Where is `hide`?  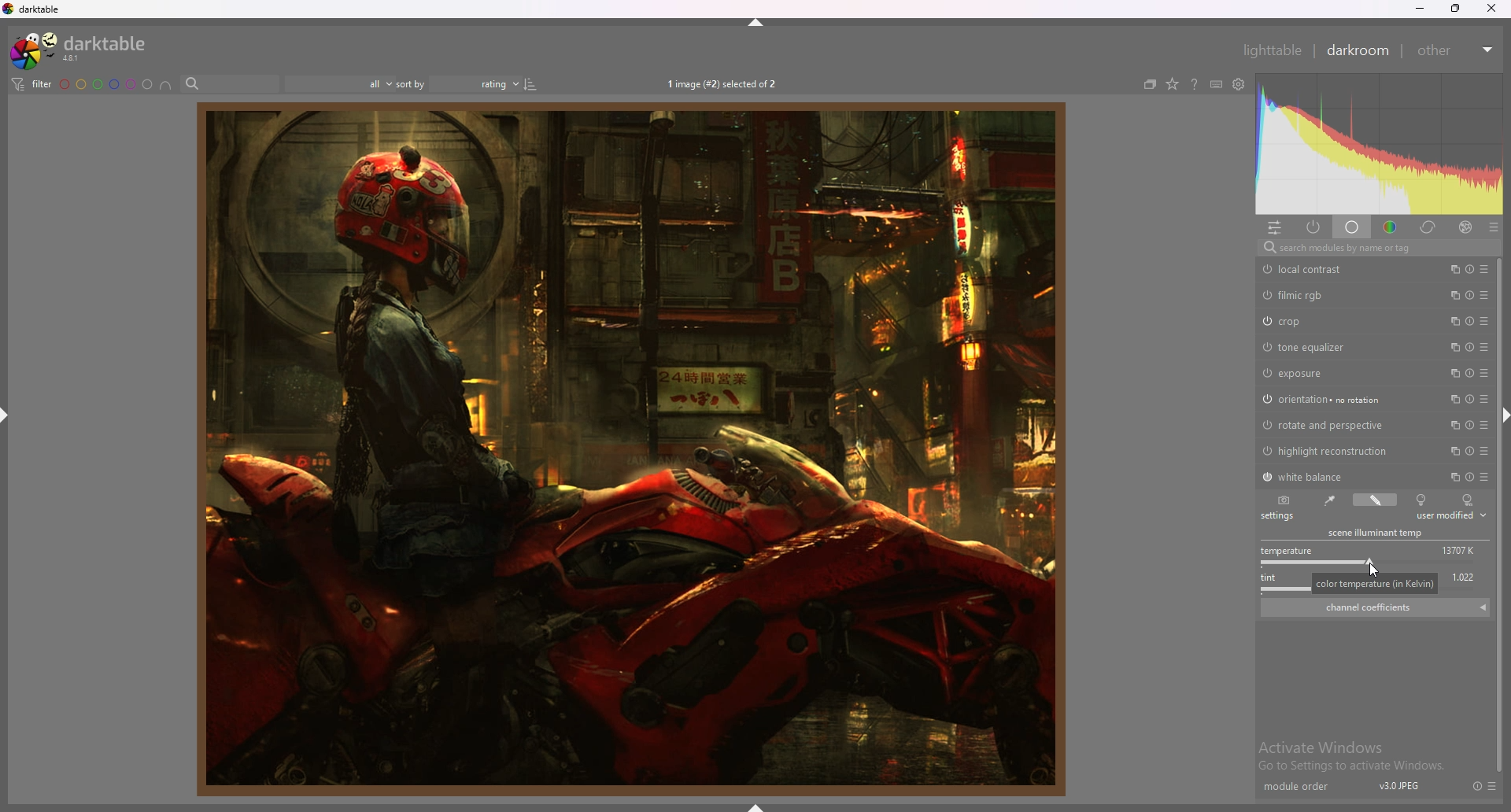
hide is located at coordinates (756, 22).